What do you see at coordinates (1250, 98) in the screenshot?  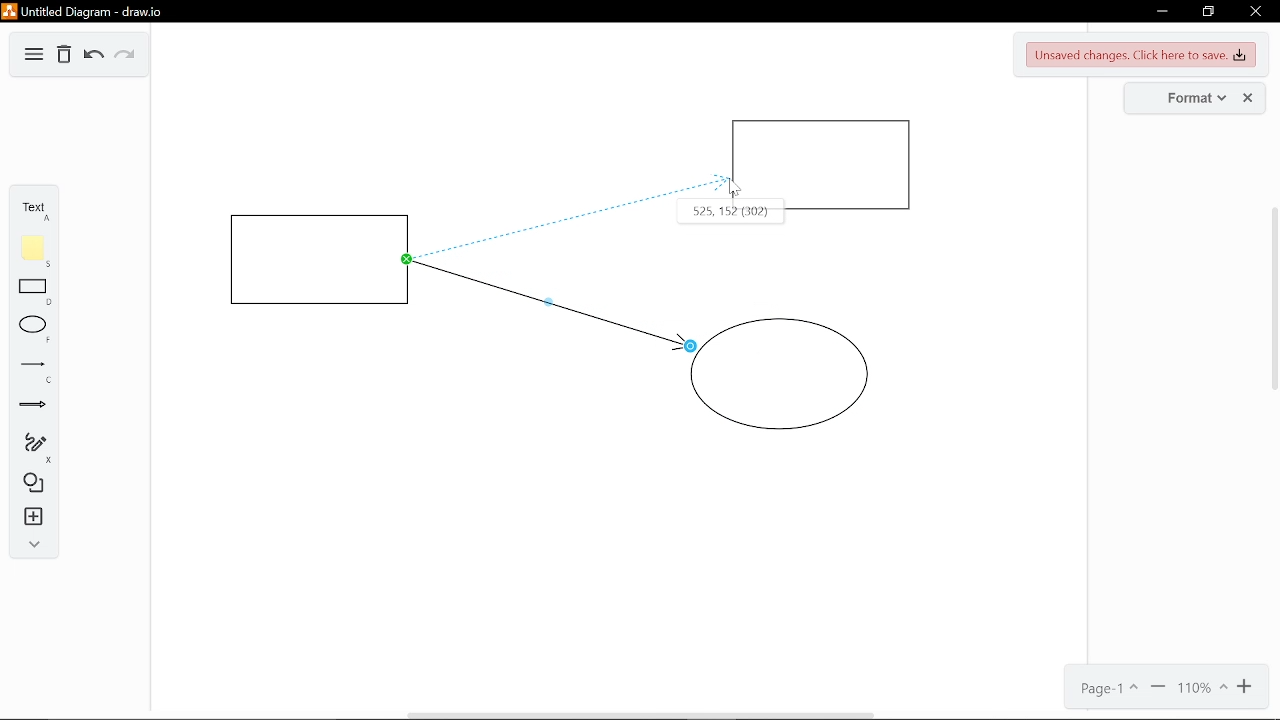 I see `Close format` at bounding box center [1250, 98].